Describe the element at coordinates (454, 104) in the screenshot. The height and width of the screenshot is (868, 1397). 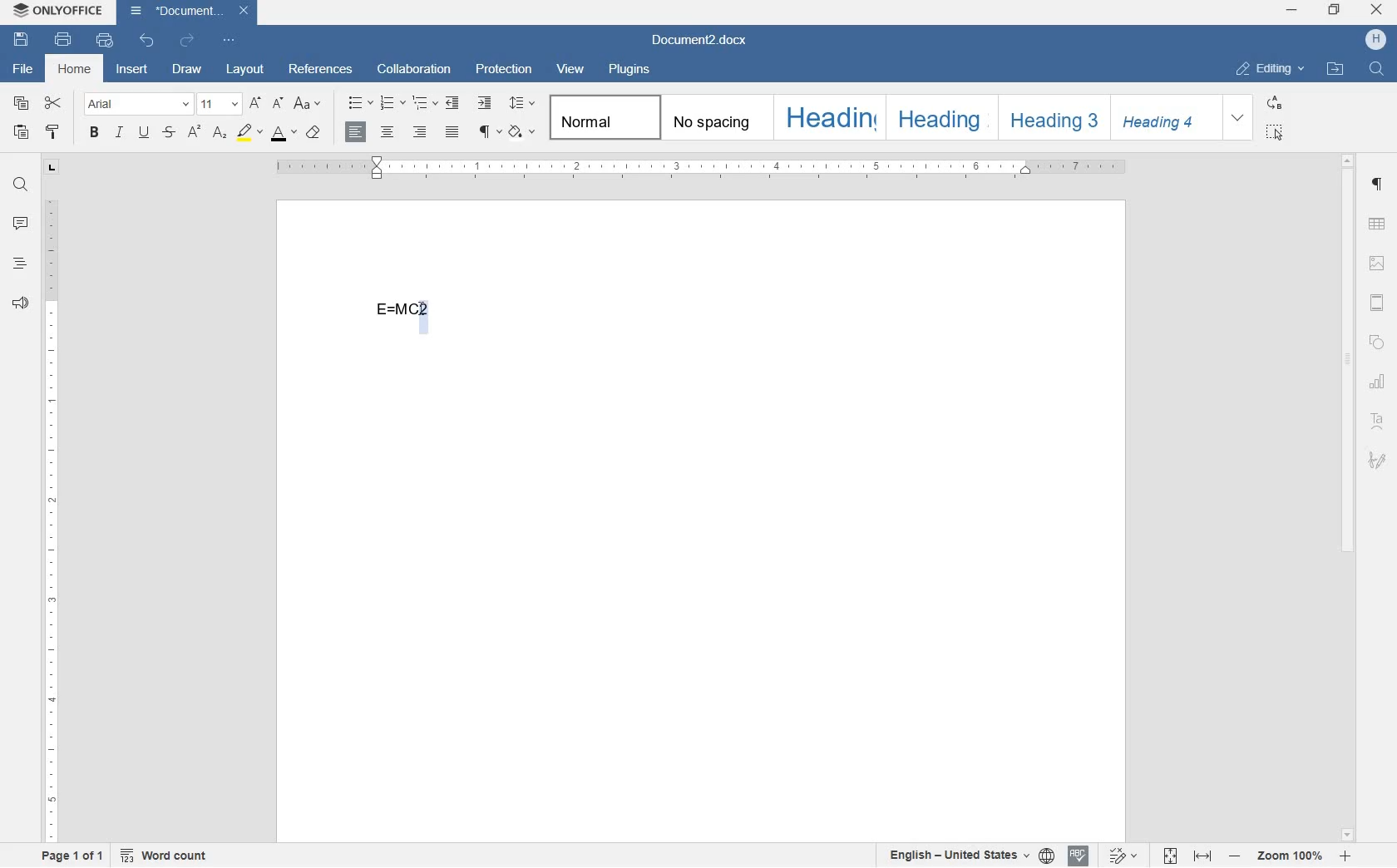
I see `decrease indent` at that location.